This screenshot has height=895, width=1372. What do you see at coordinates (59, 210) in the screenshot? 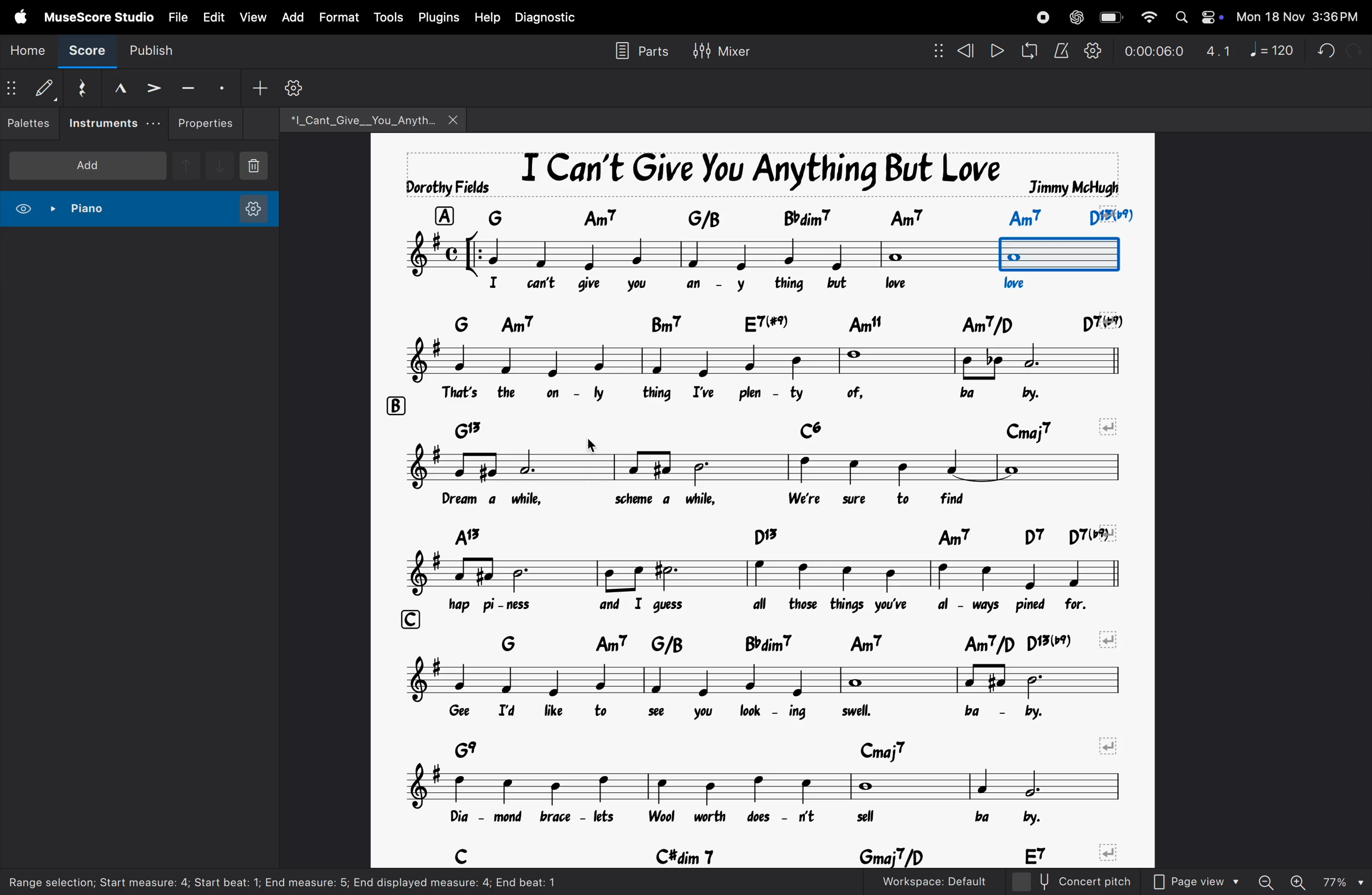
I see `piano` at bounding box center [59, 210].